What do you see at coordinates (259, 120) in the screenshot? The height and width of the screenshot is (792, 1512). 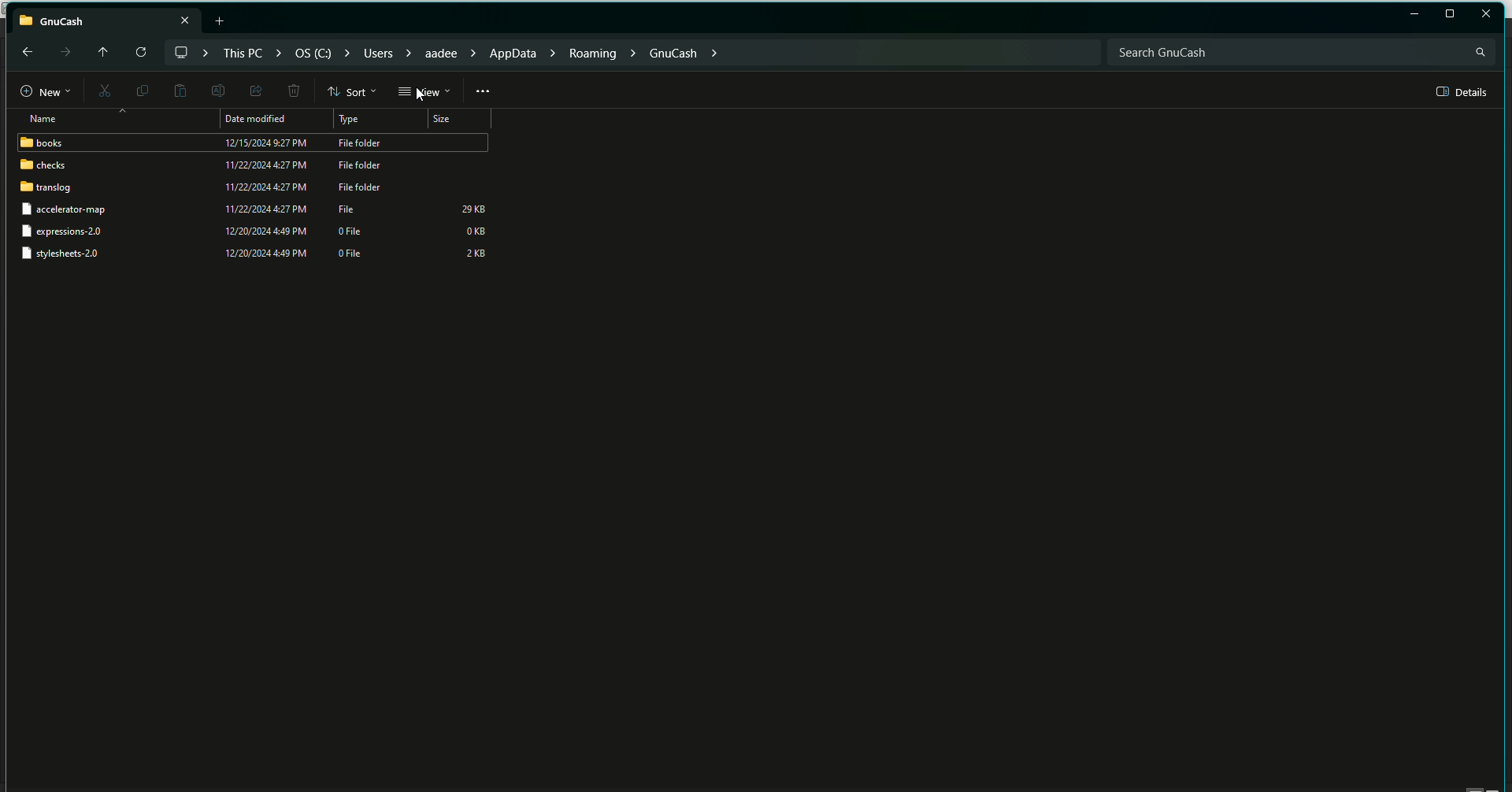 I see `Date Modified` at bounding box center [259, 120].